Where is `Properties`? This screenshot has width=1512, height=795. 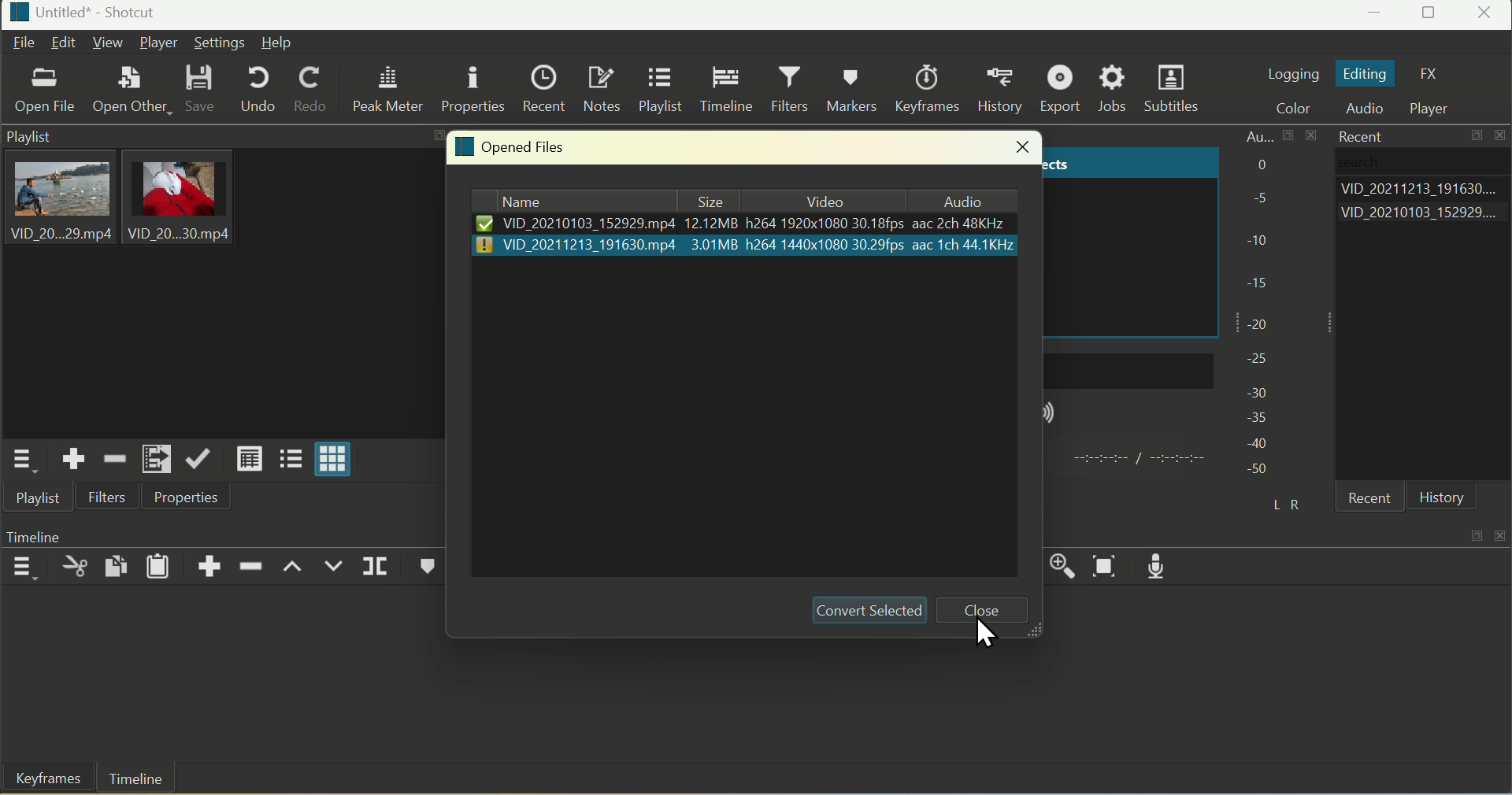
Properties is located at coordinates (184, 497).